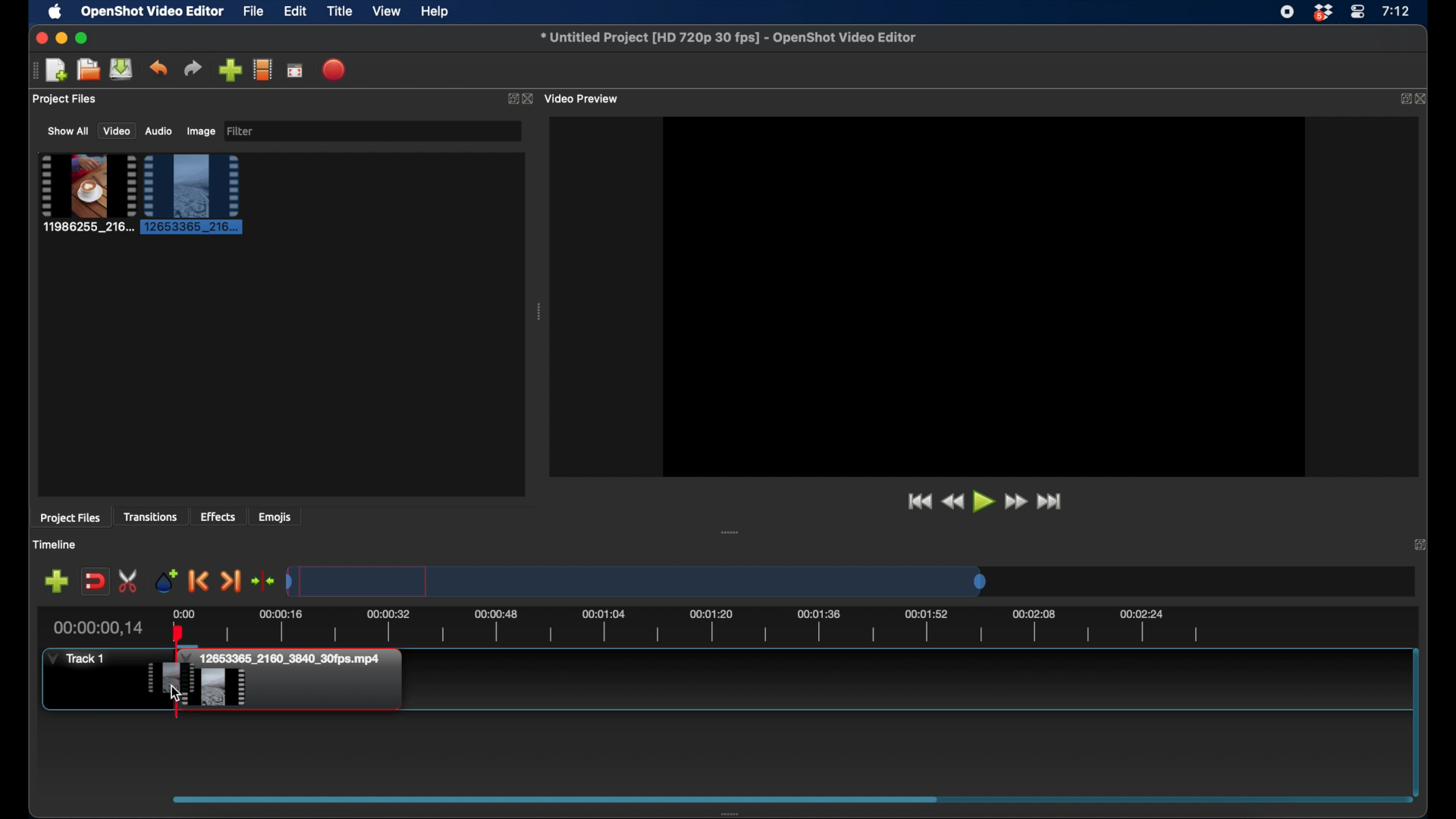 The height and width of the screenshot is (819, 1456). Describe the element at coordinates (121, 69) in the screenshot. I see `save project` at that location.